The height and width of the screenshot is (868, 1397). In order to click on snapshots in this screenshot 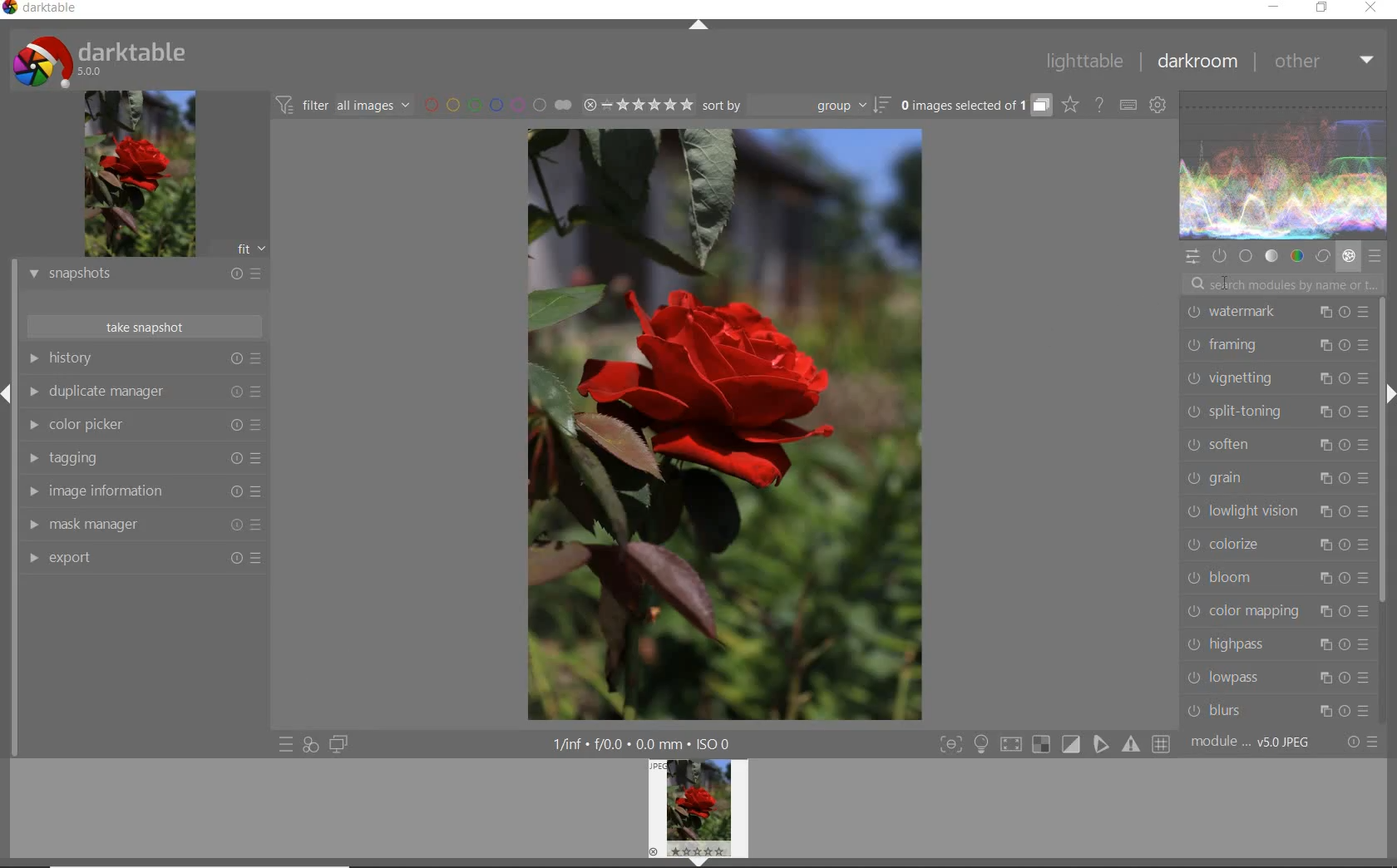, I will do `click(144, 275)`.